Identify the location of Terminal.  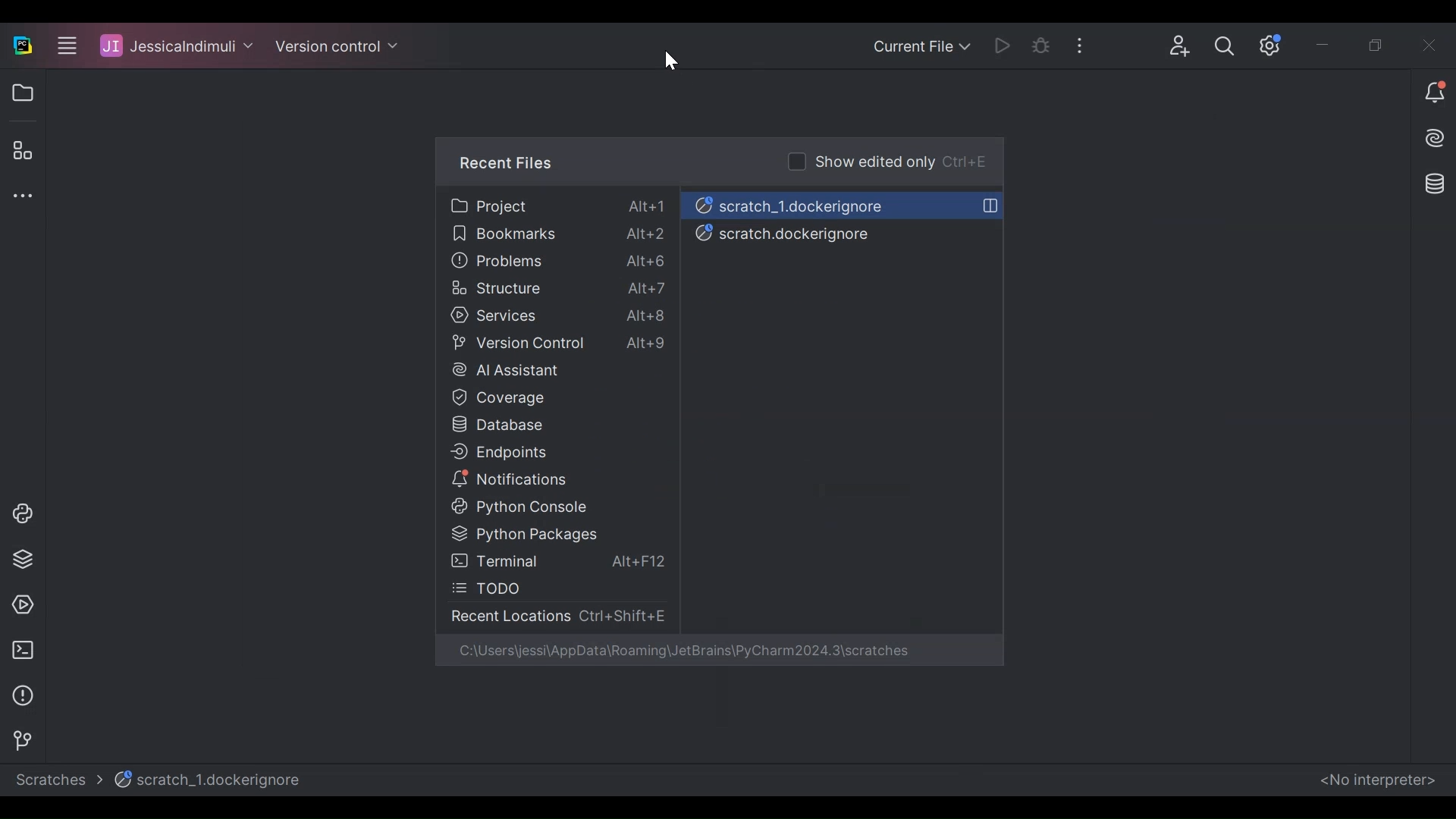
(559, 562).